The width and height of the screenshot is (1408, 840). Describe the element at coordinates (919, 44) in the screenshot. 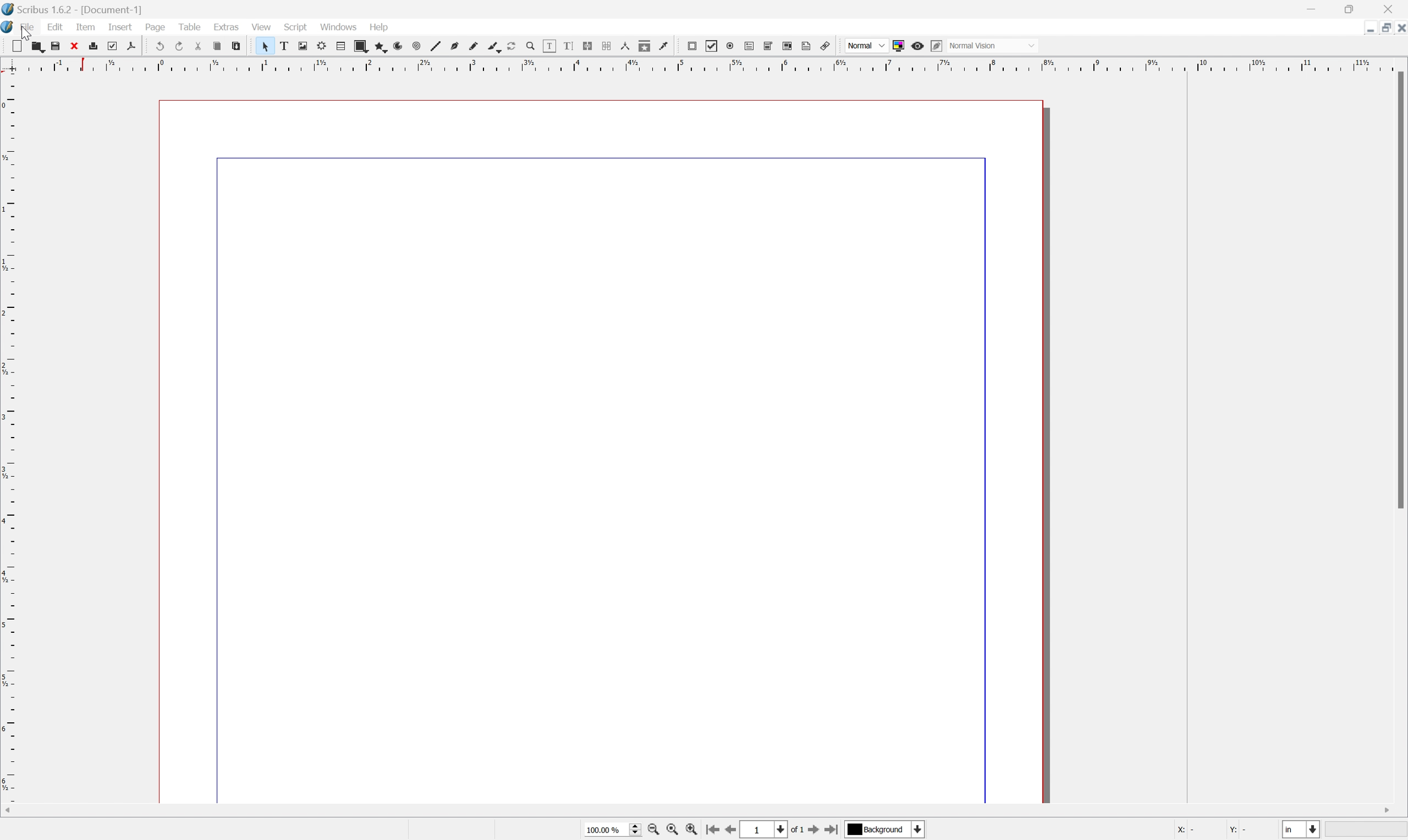

I see `Preview mode` at that location.